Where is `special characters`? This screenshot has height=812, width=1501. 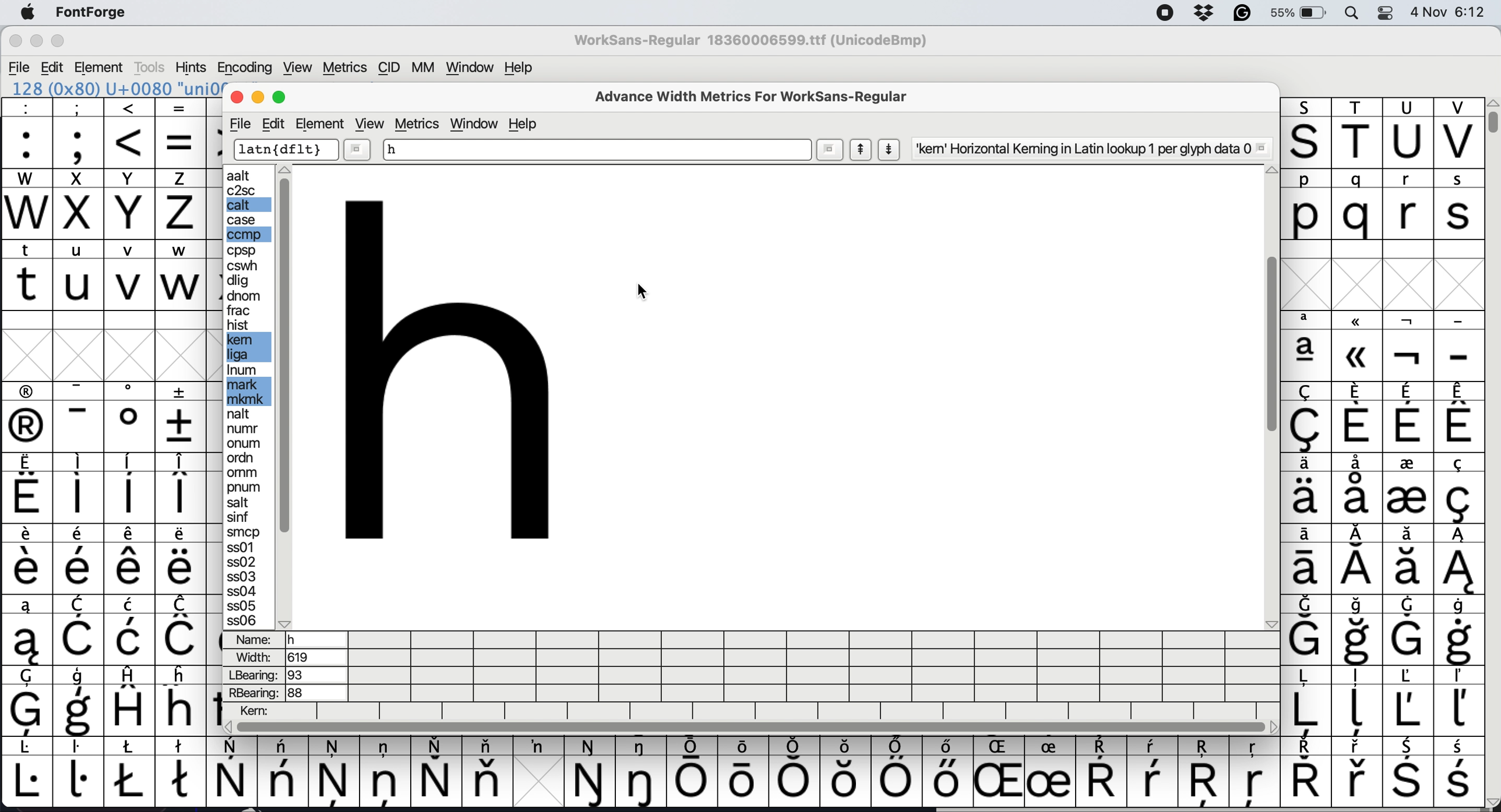 special characters is located at coordinates (1383, 640).